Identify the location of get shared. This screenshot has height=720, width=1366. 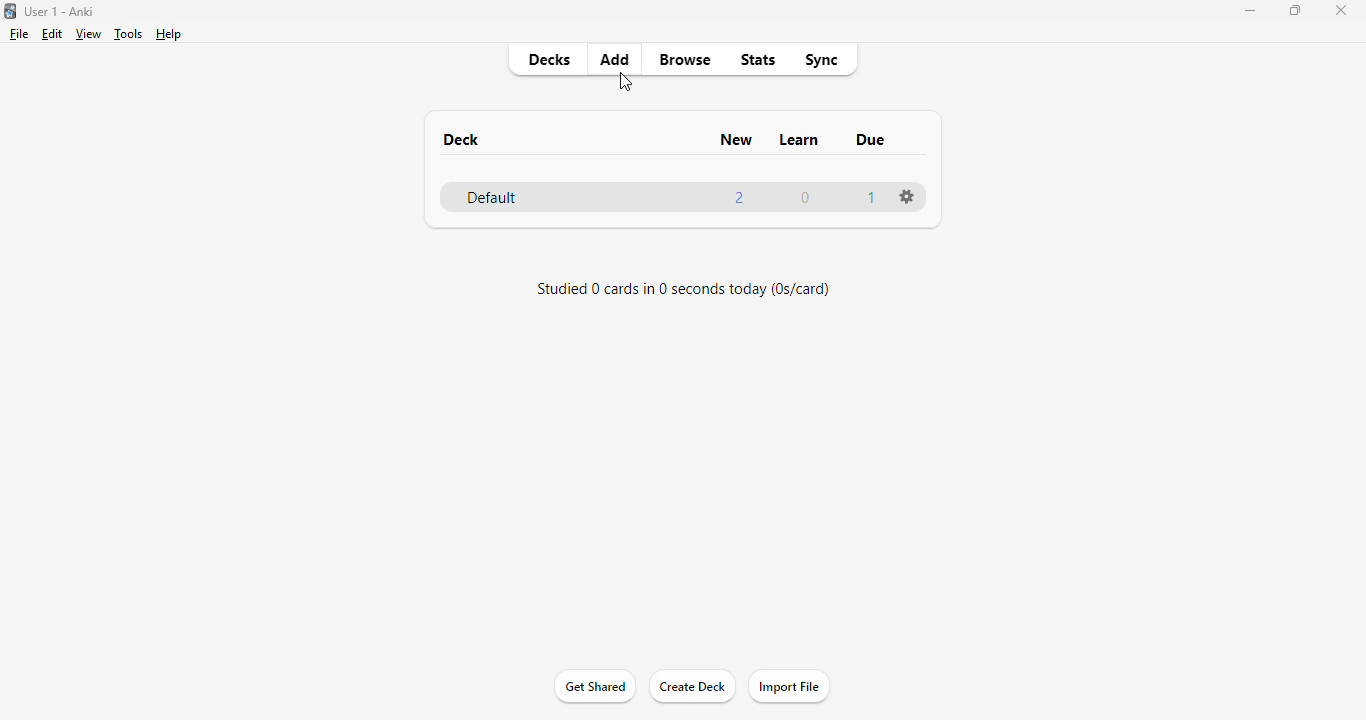
(593, 687).